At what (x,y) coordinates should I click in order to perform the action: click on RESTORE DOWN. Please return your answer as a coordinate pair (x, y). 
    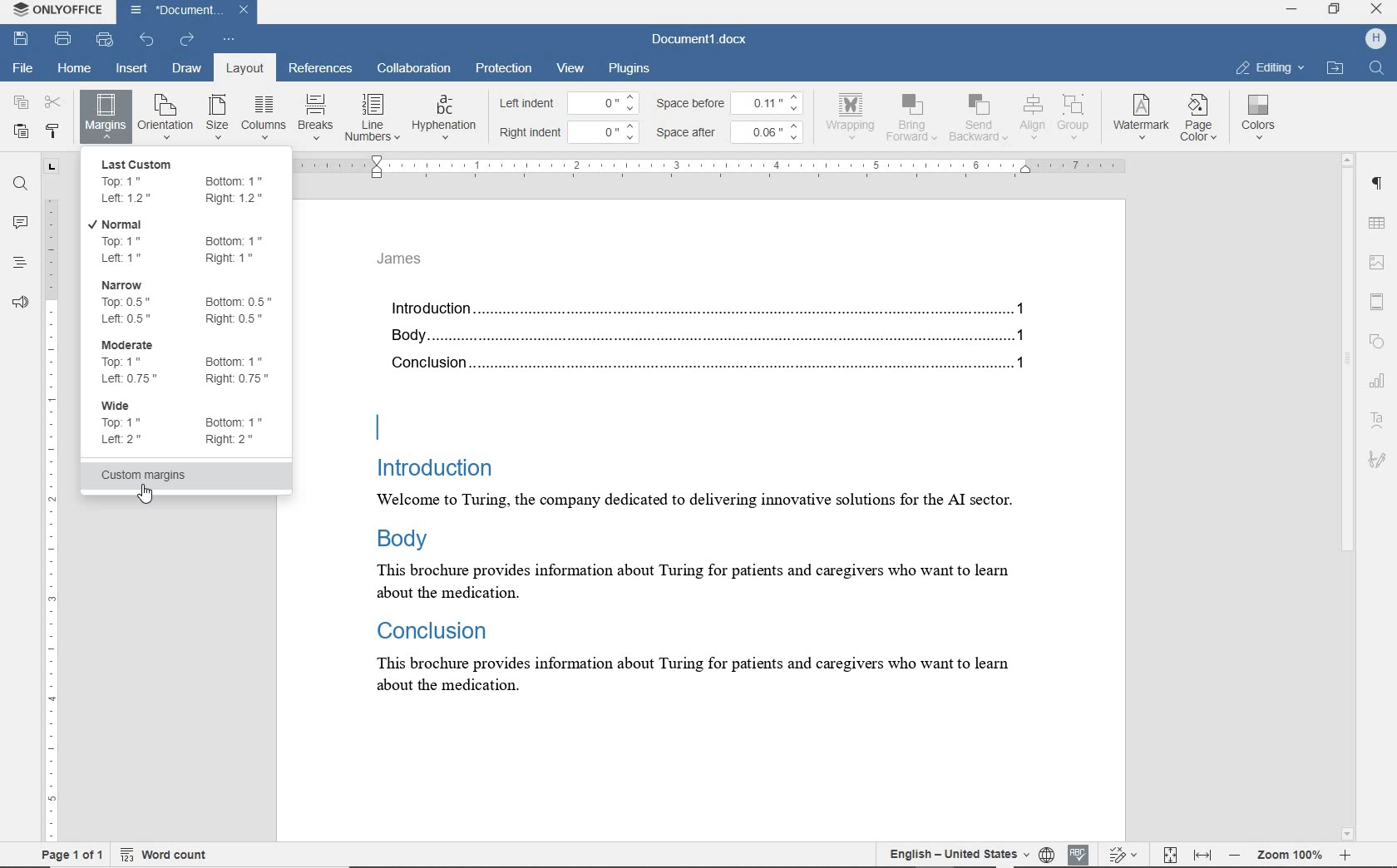
    Looking at the image, I should click on (1337, 11).